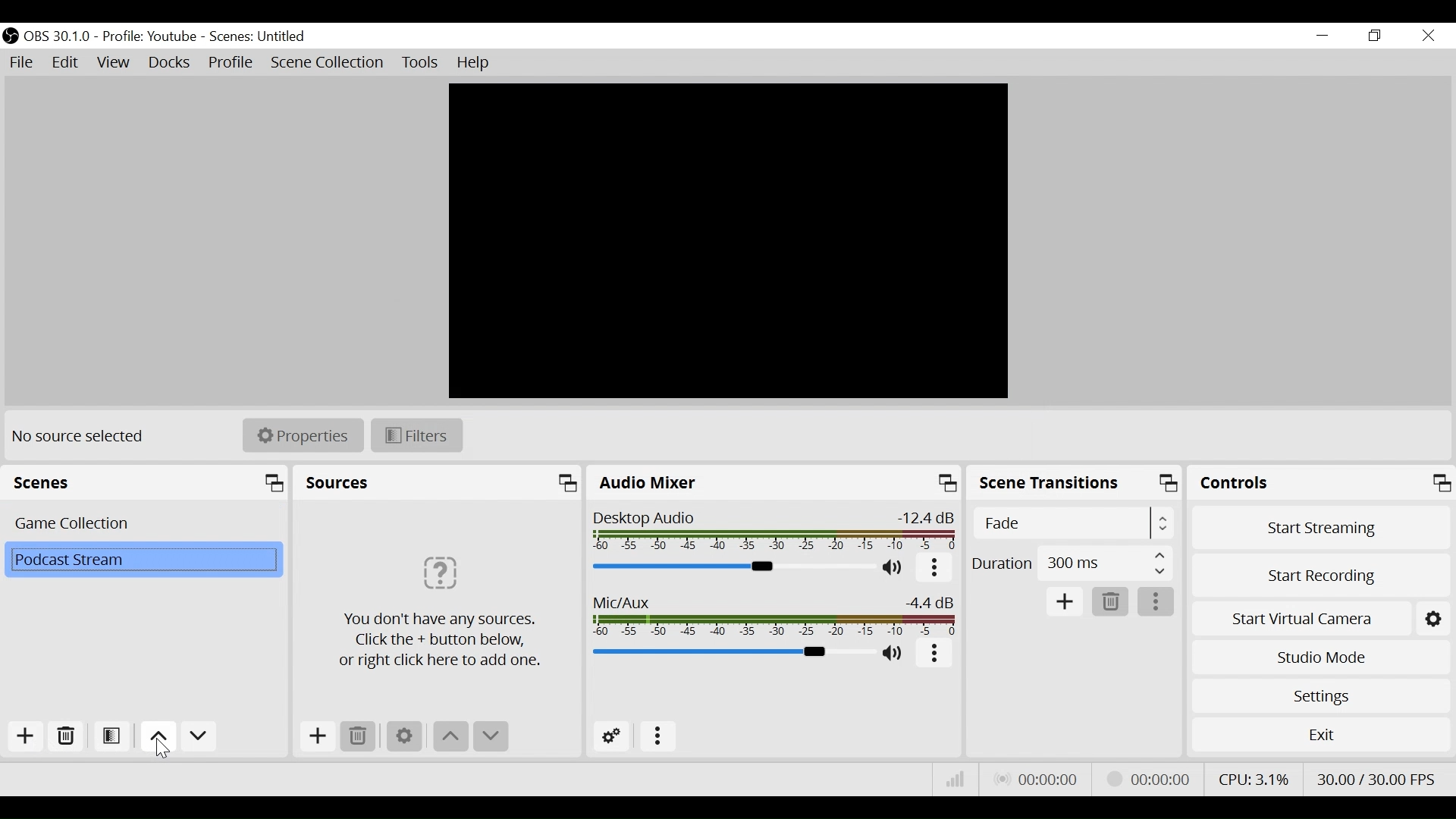 The height and width of the screenshot is (819, 1456). What do you see at coordinates (440, 483) in the screenshot?
I see `Sources` at bounding box center [440, 483].